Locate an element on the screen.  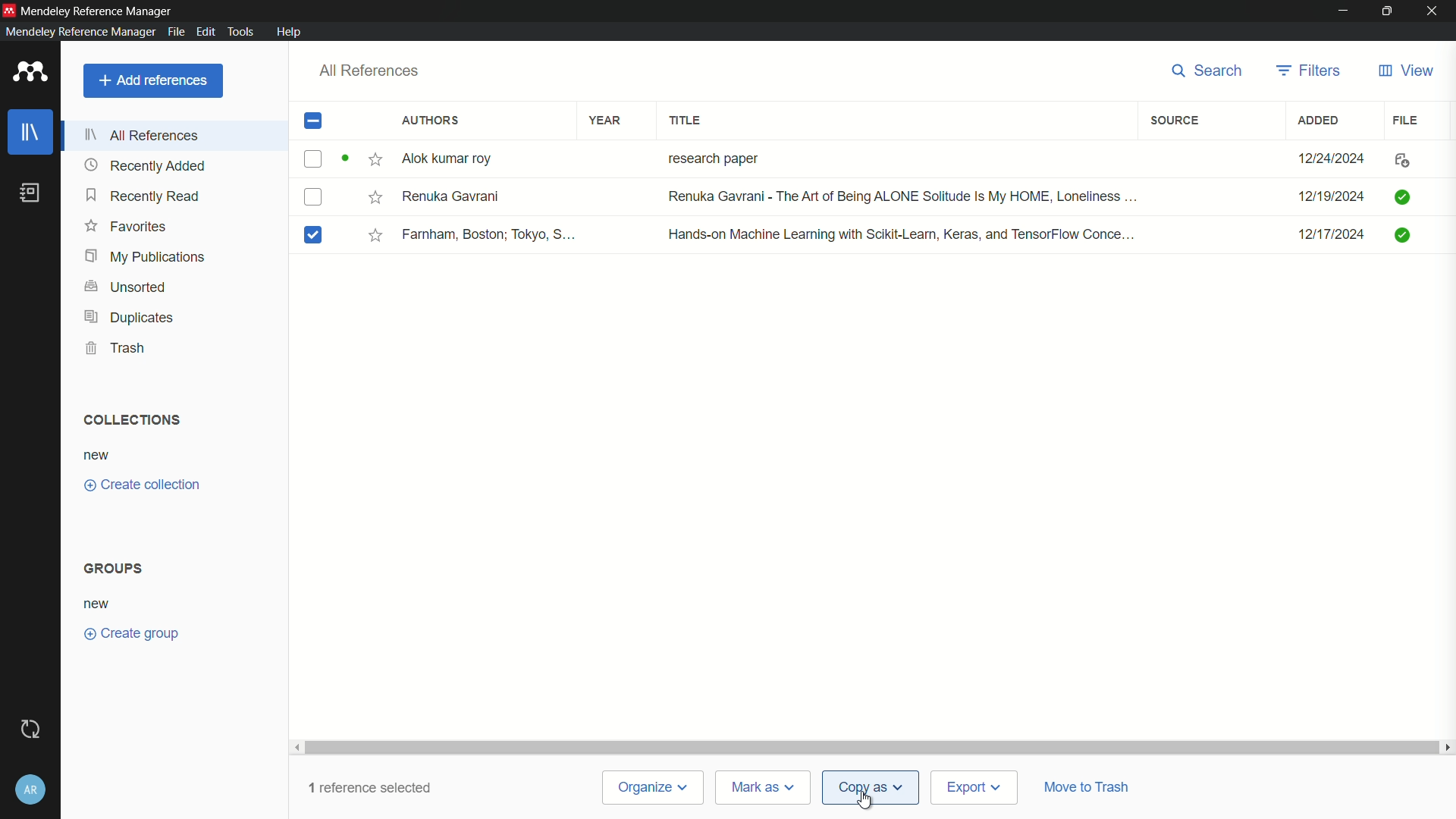
Mendeley Reference Manager is located at coordinates (102, 9).